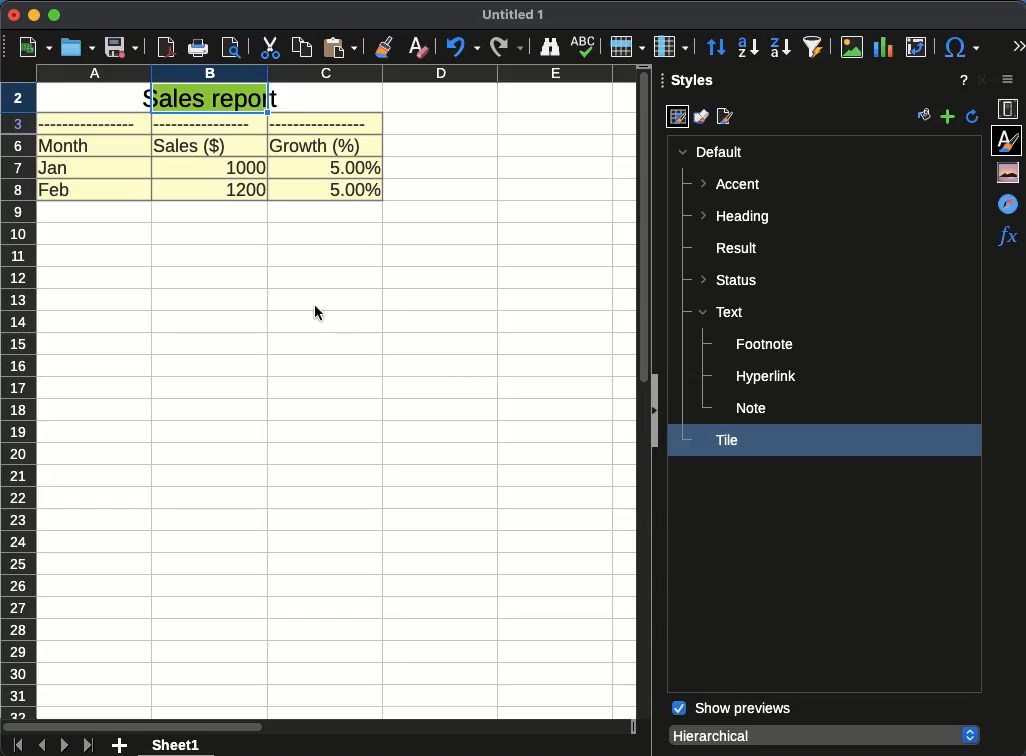 Image resolution: width=1026 pixels, height=756 pixels. I want to click on styles, so click(1009, 139).